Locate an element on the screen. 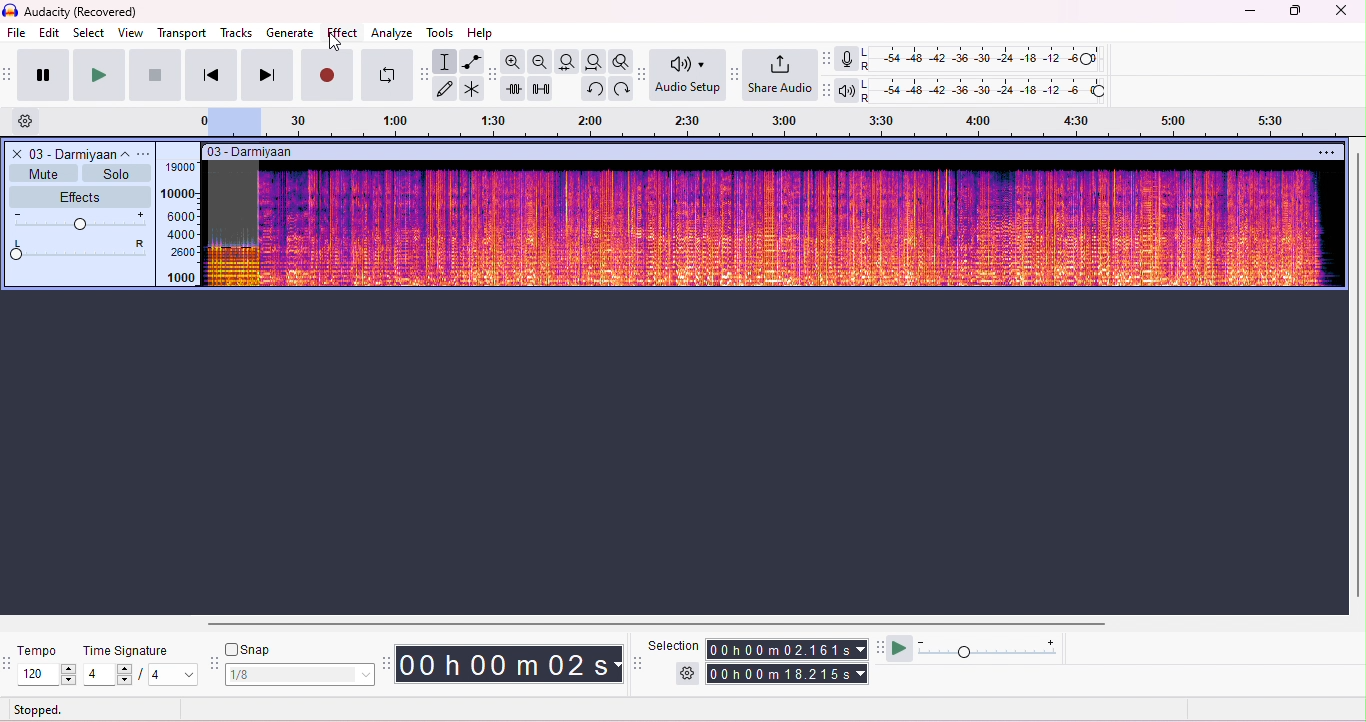  selection is located at coordinates (447, 62).